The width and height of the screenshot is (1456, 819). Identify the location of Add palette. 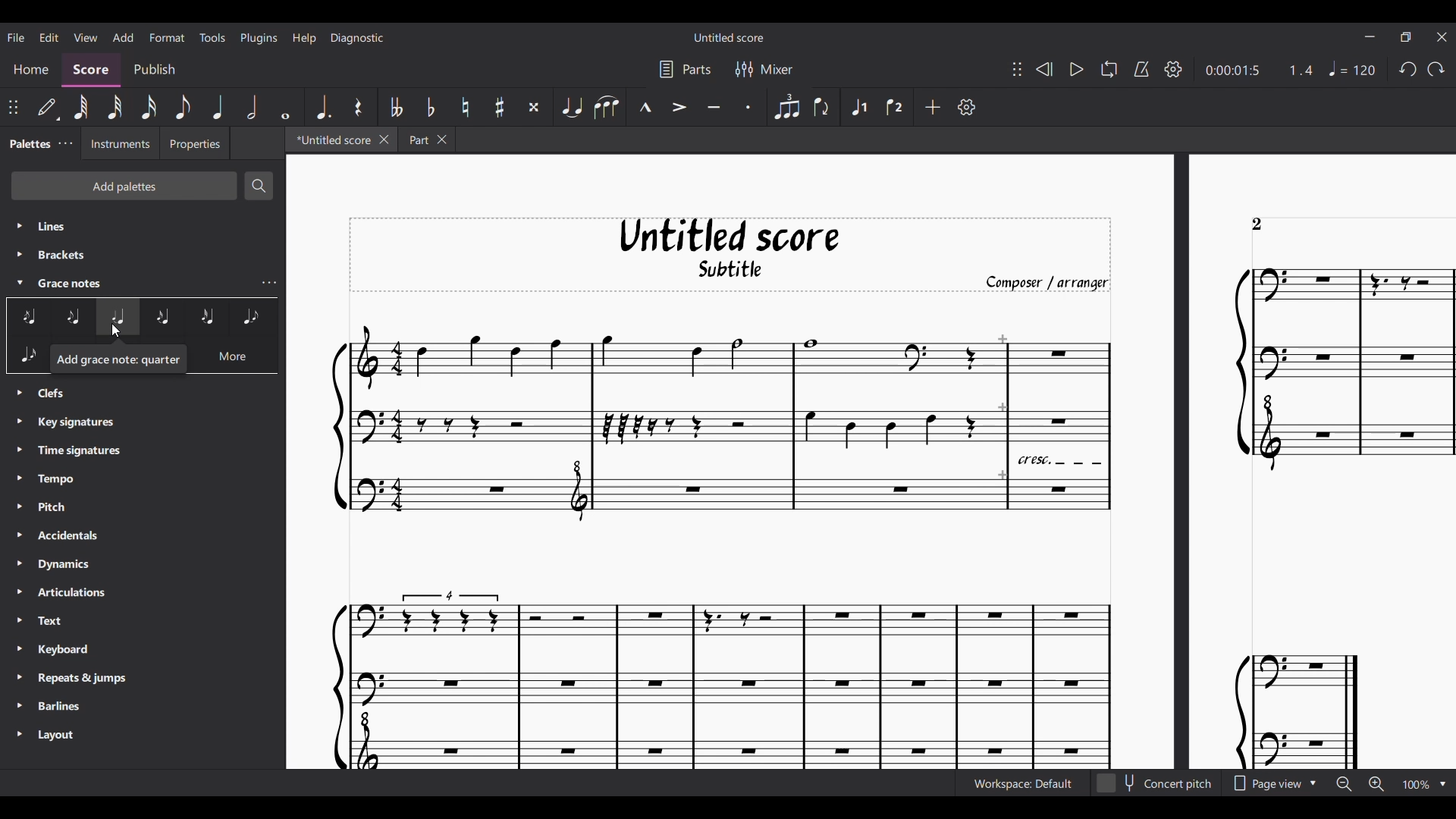
(124, 186).